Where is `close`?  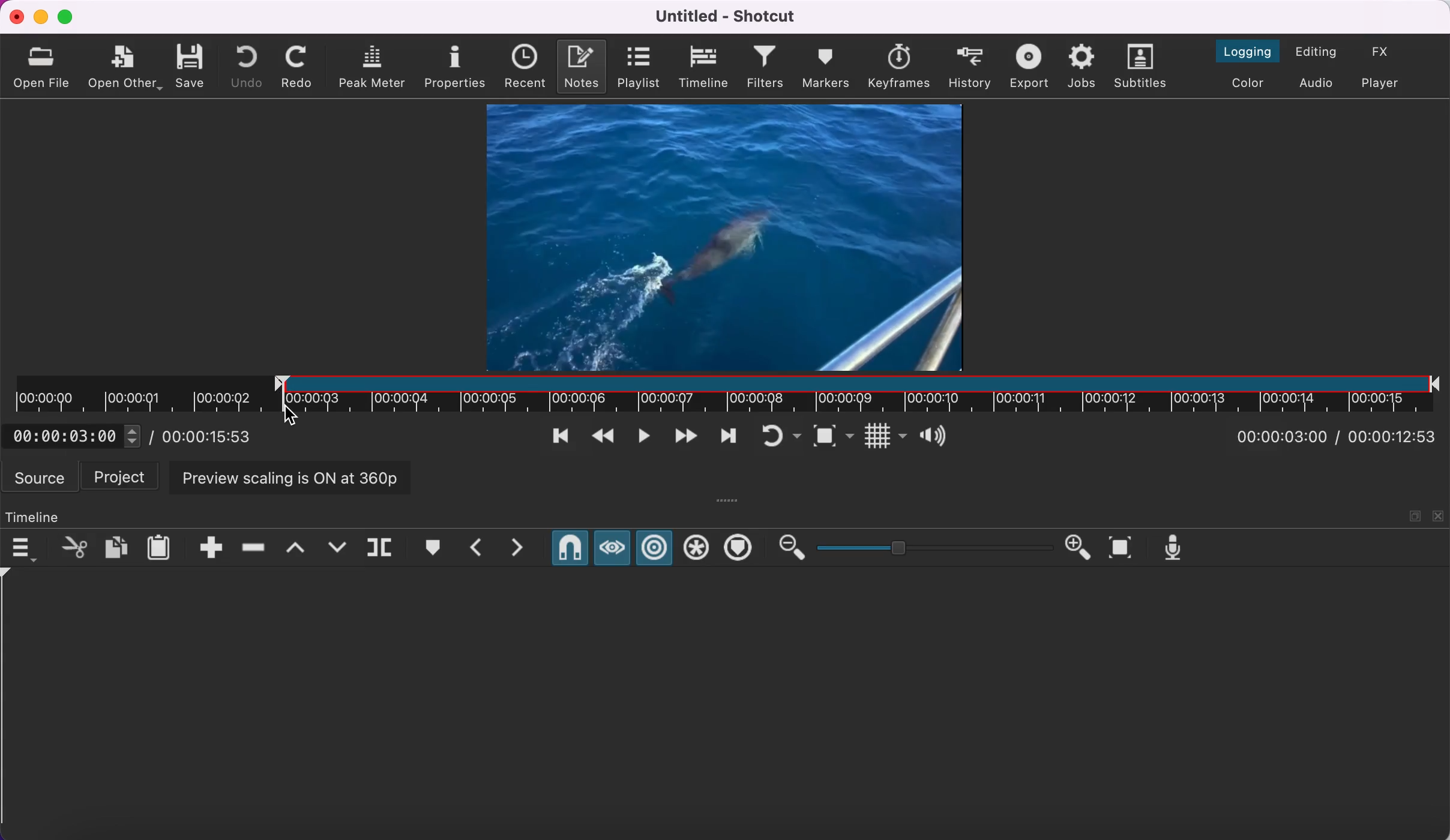
close is located at coordinates (14, 16).